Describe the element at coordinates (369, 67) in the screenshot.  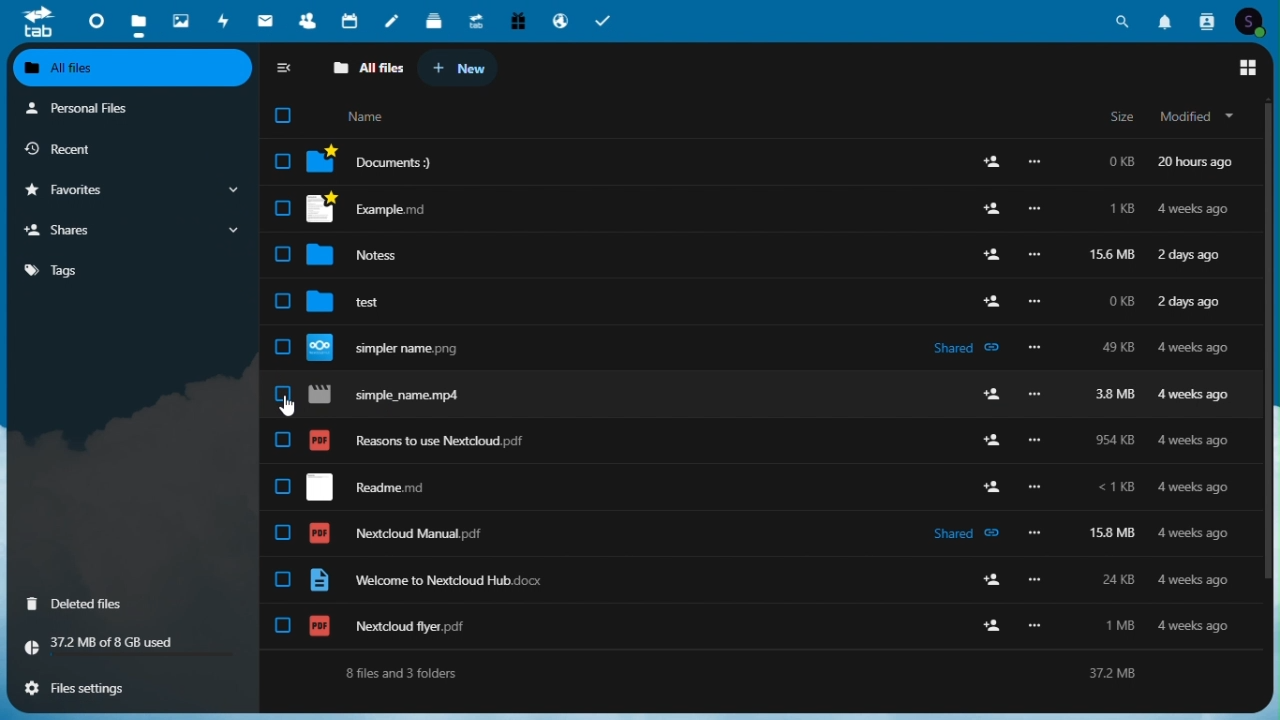
I see `All files` at that location.